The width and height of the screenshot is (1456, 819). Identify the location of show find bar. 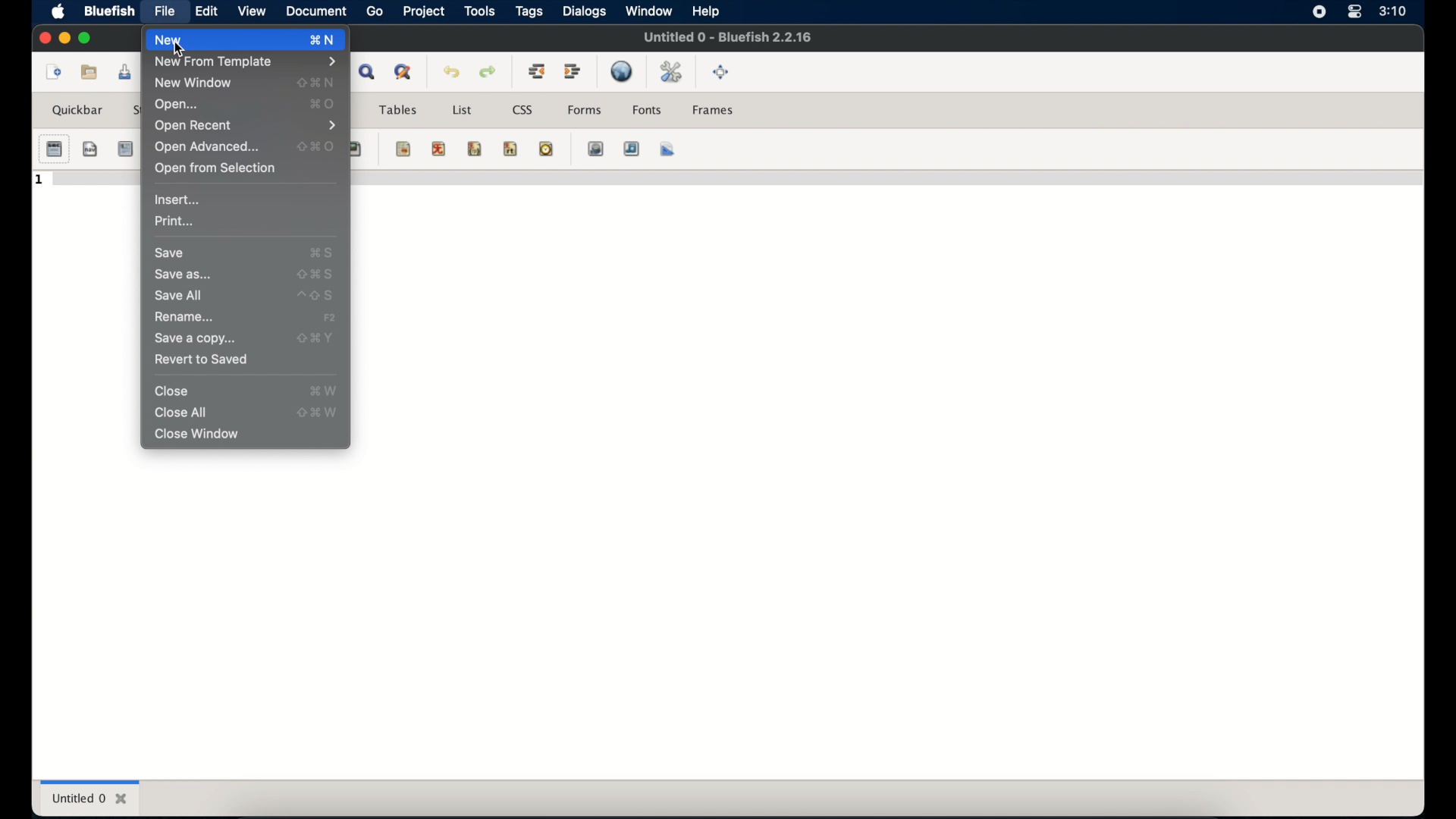
(369, 71).